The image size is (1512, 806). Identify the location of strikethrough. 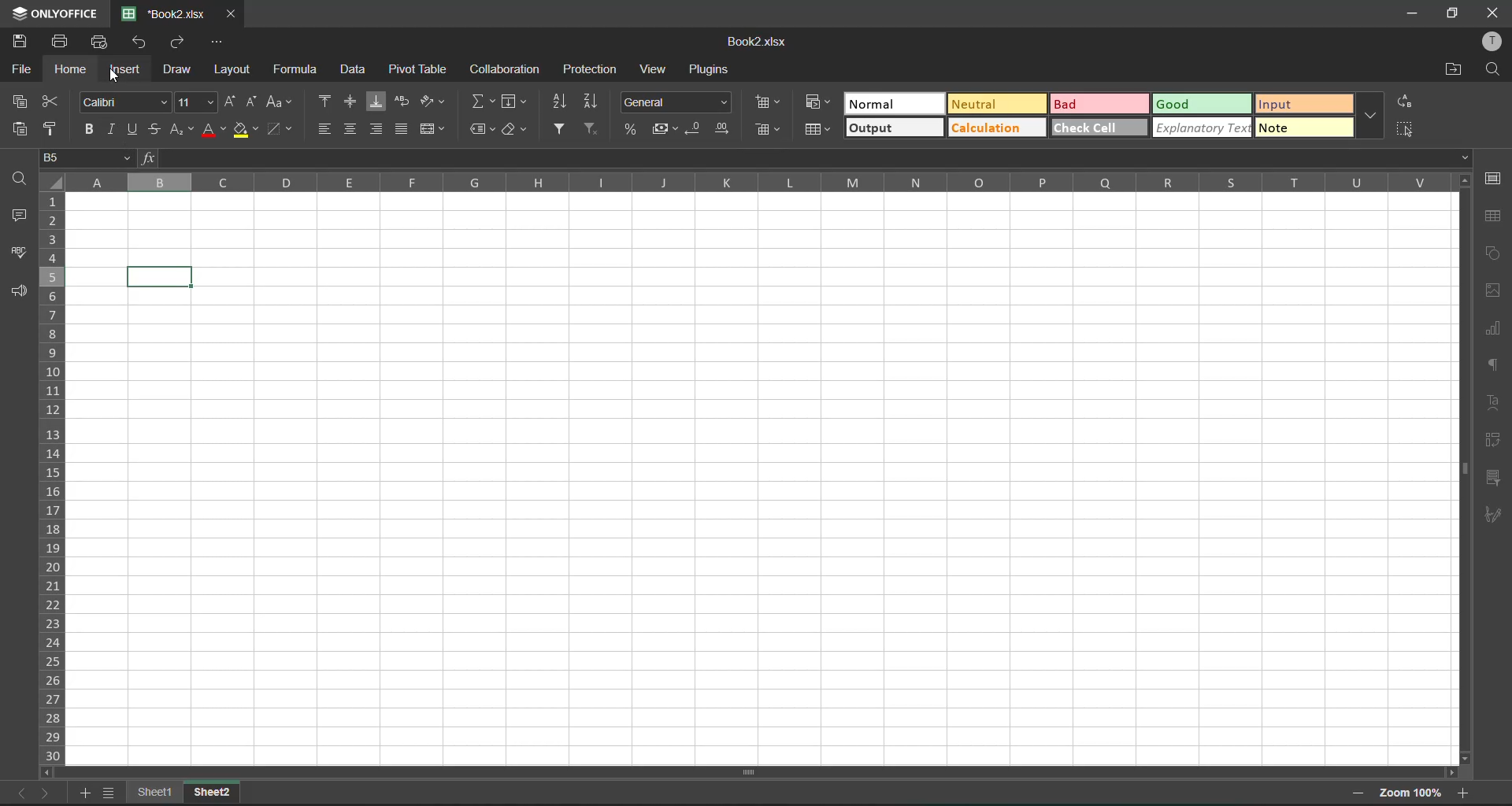
(157, 130).